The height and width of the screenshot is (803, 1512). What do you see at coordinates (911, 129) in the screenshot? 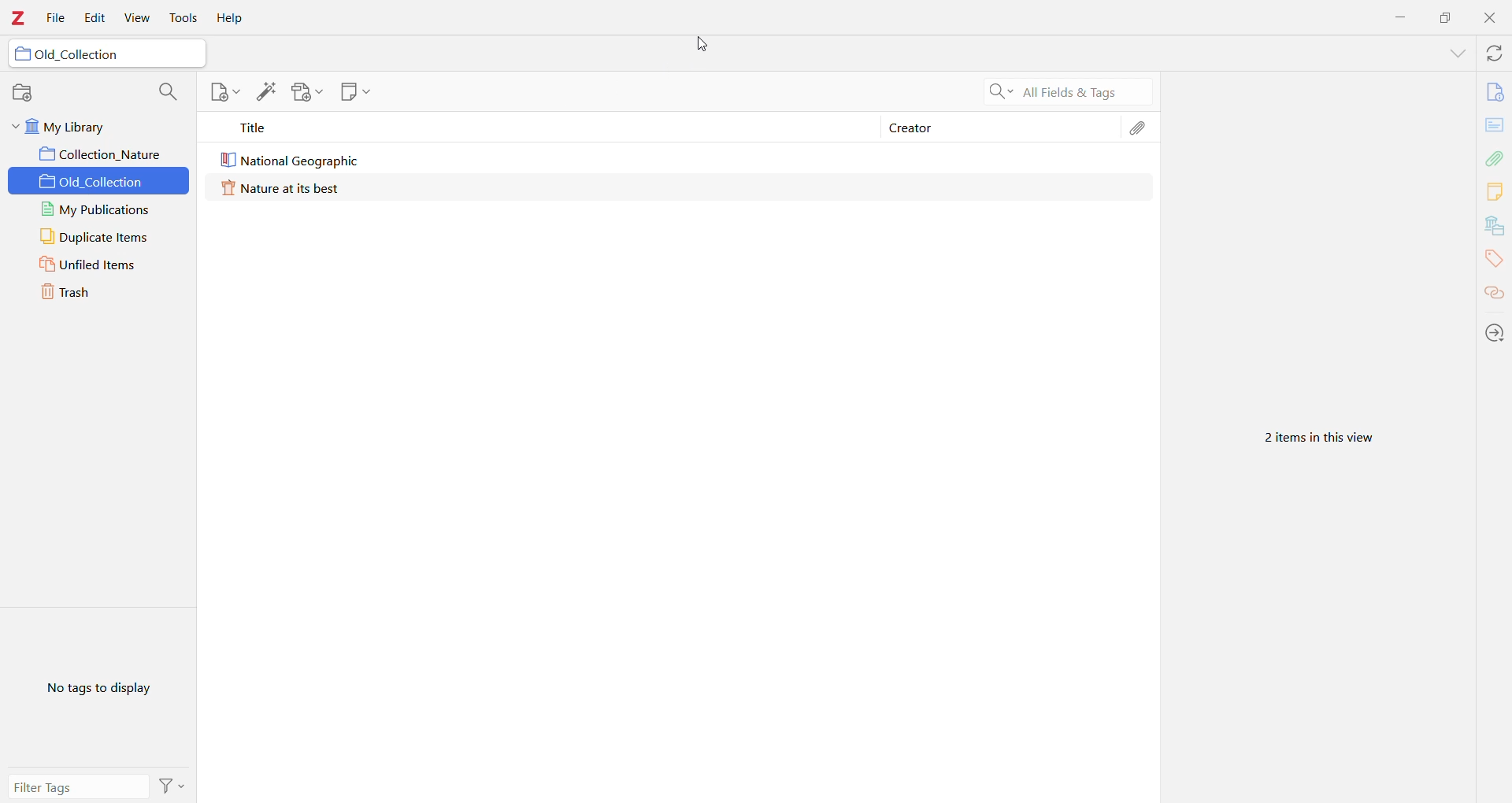
I see `Creator` at bounding box center [911, 129].